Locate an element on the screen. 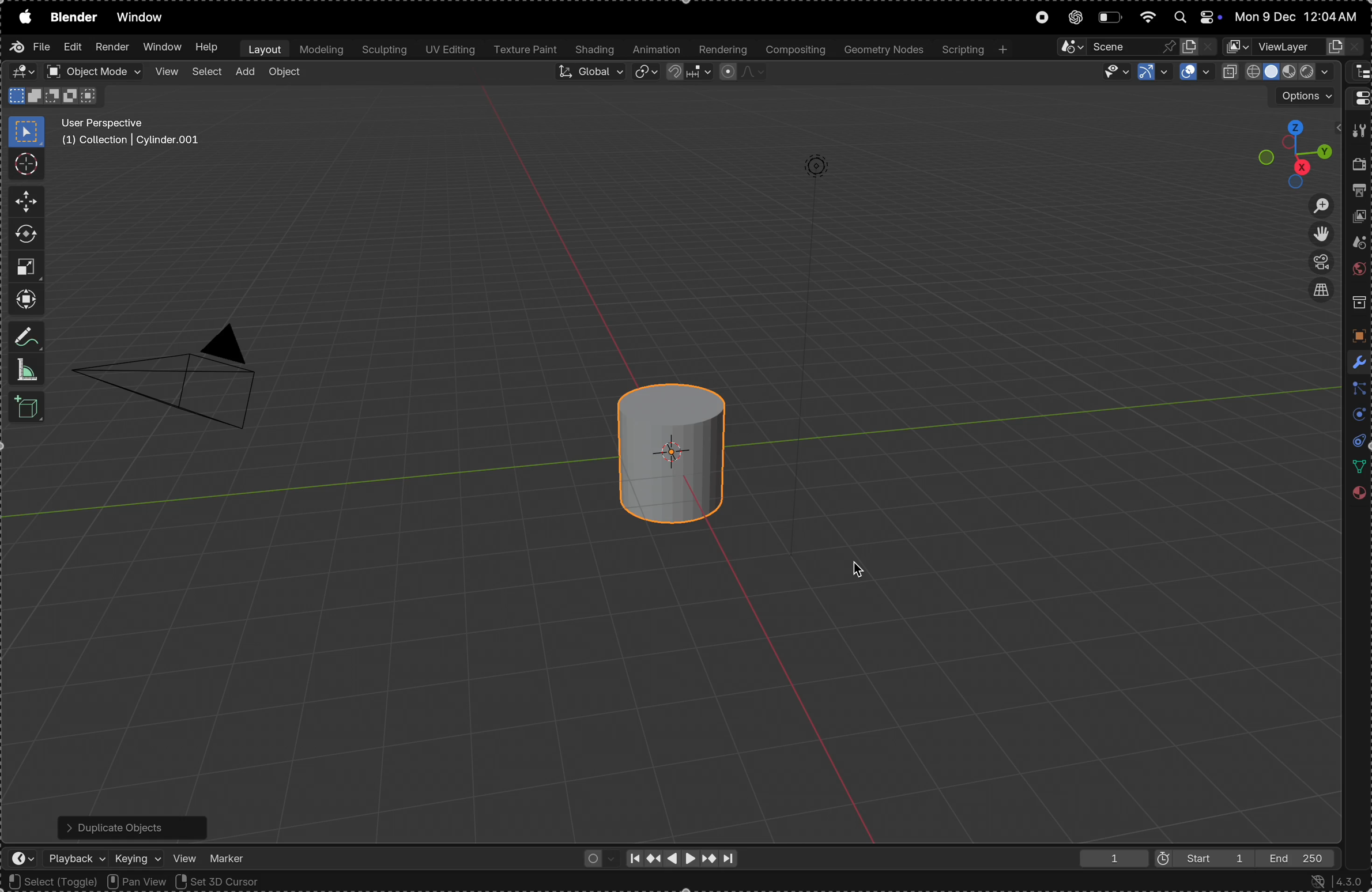 The height and width of the screenshot is (892, 1372). Pan view is located at coordinates (138, 882).